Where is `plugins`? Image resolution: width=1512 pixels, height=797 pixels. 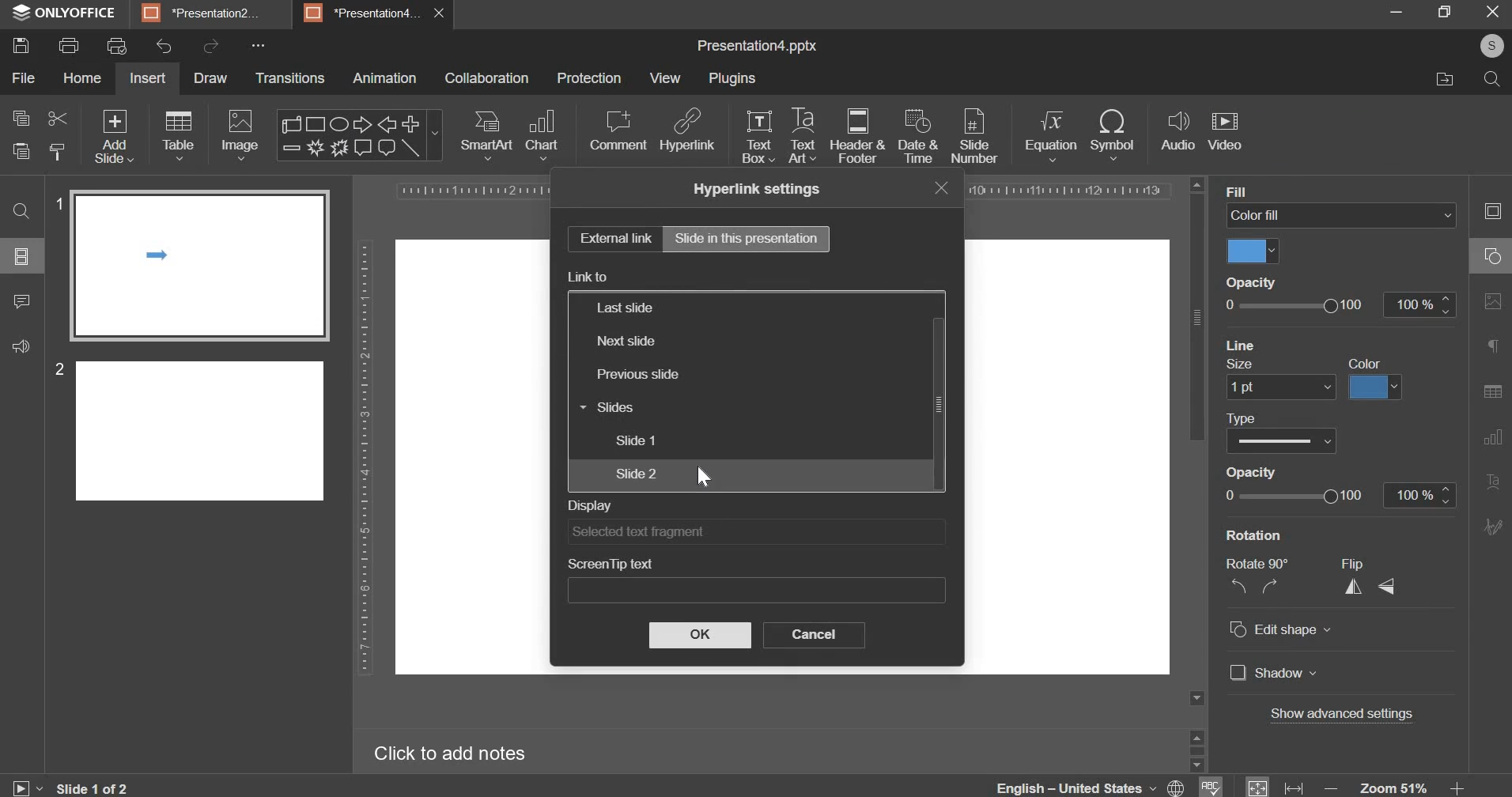 plugins is located at coordinates (731, 79).